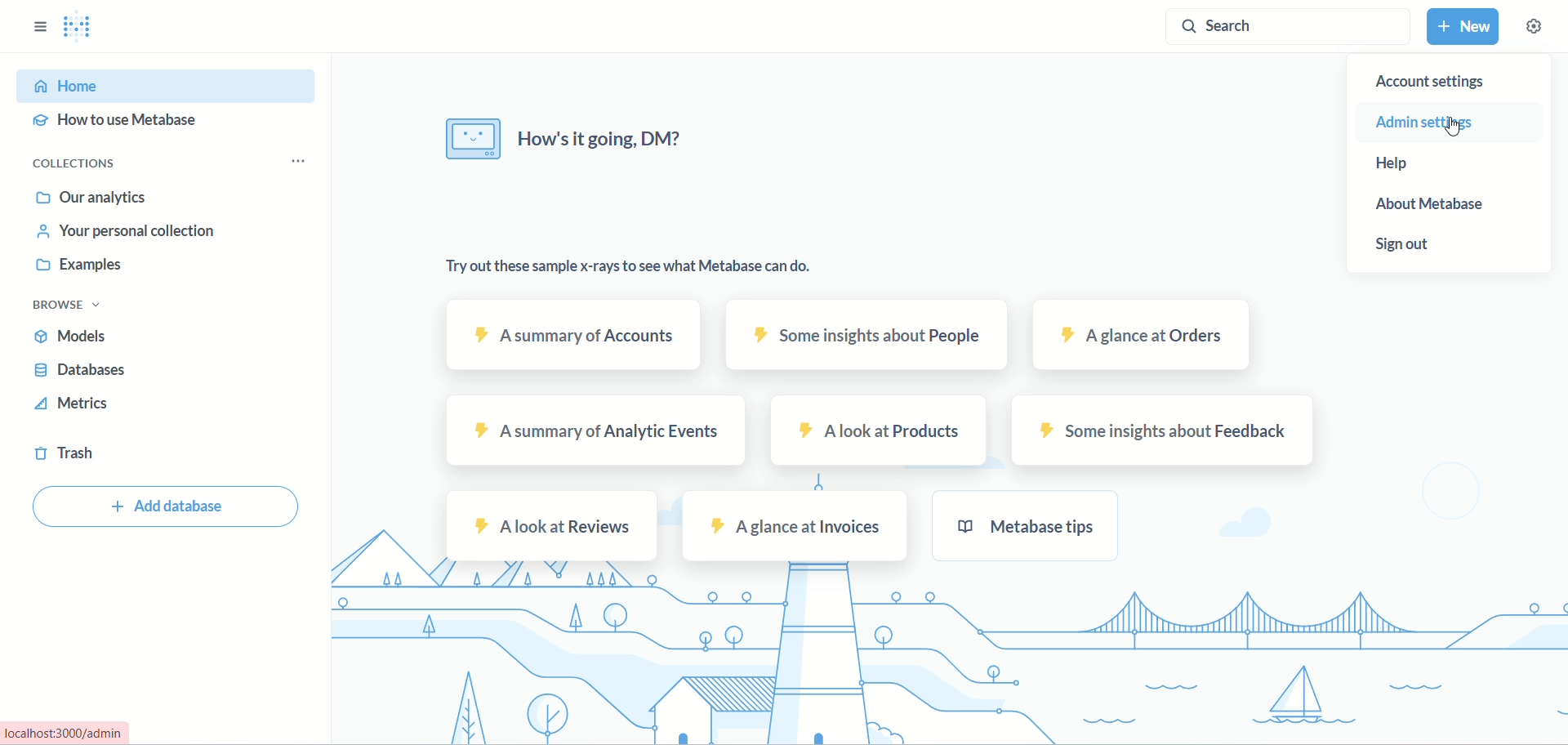  I want to click on collection, so click(73, 167).